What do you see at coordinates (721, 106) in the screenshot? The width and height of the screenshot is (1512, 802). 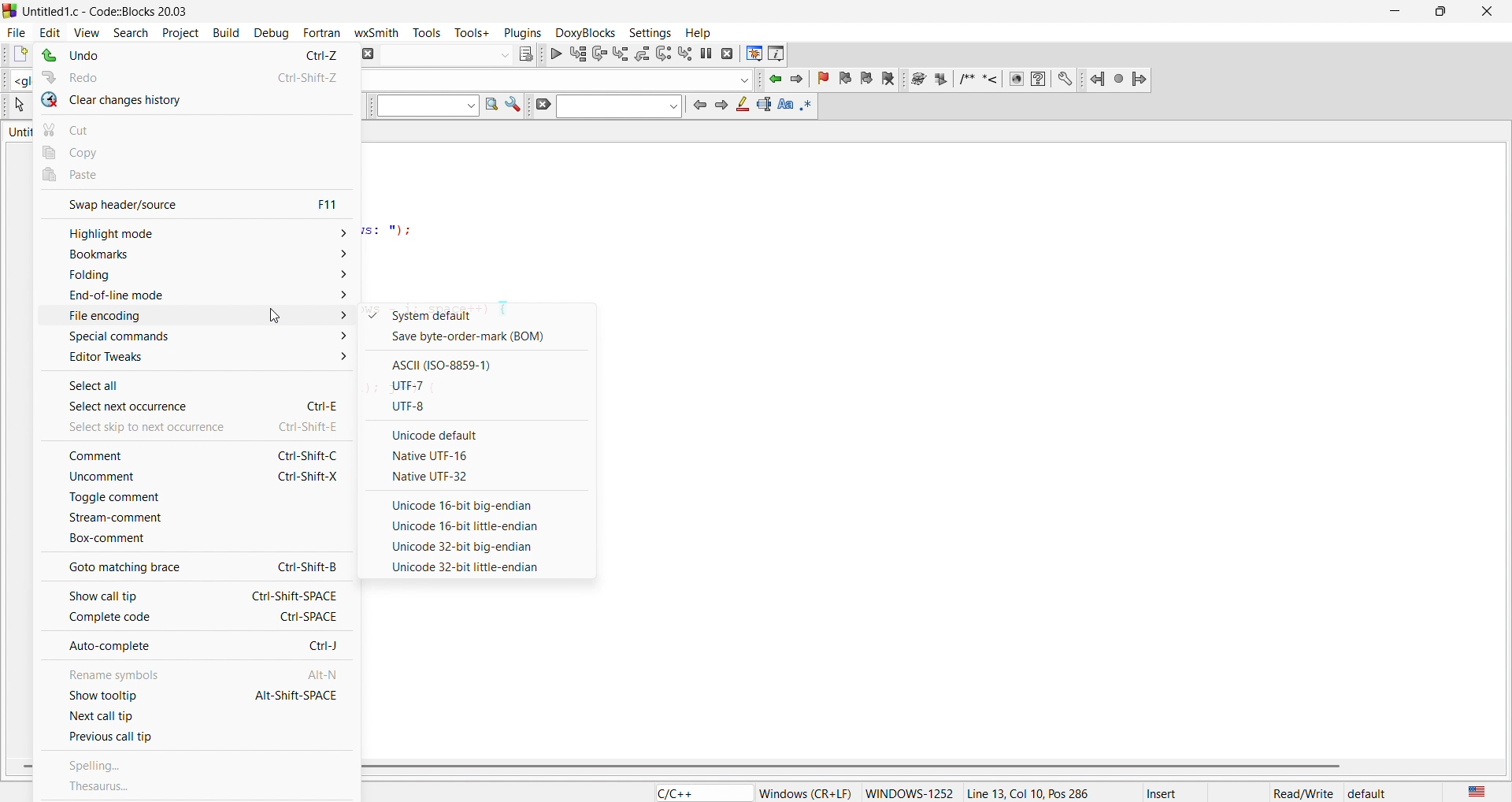 I see `next` at bounding box center [721, 106].